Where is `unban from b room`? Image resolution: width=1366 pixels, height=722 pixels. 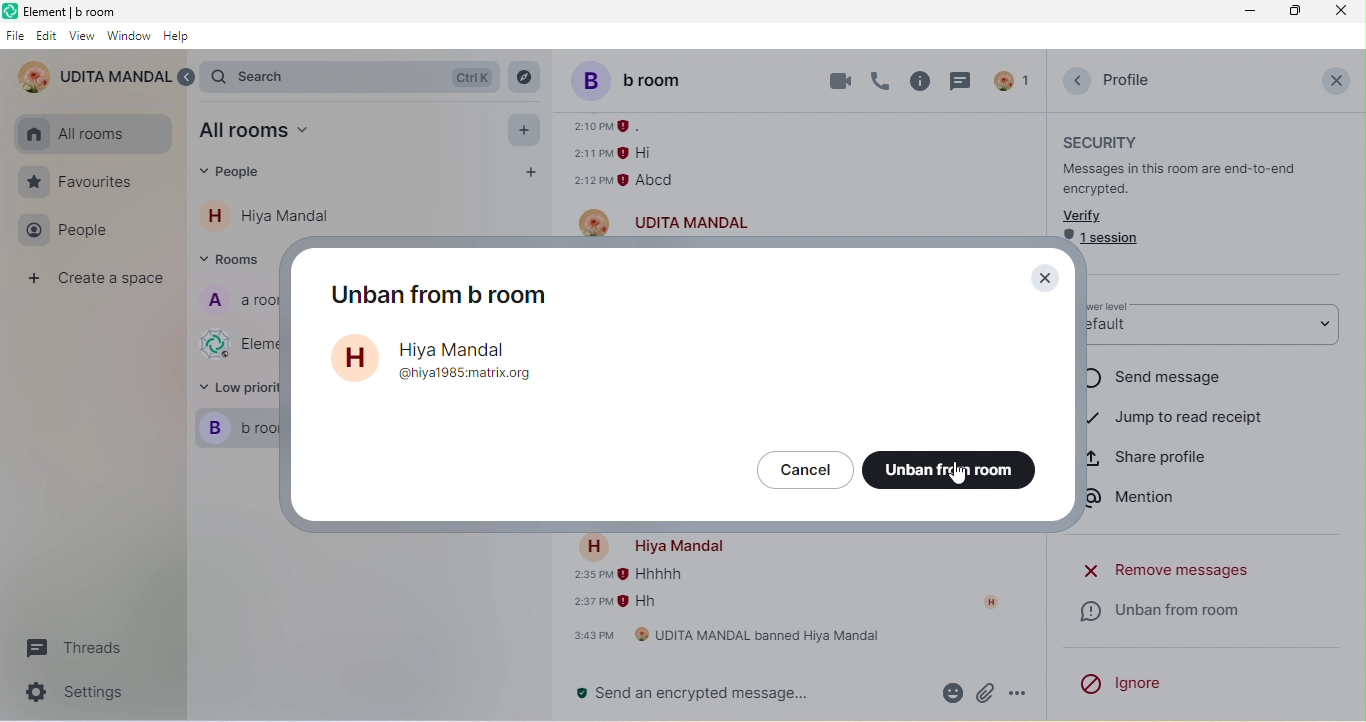
unban from b room is located at coordinates (438, 293).